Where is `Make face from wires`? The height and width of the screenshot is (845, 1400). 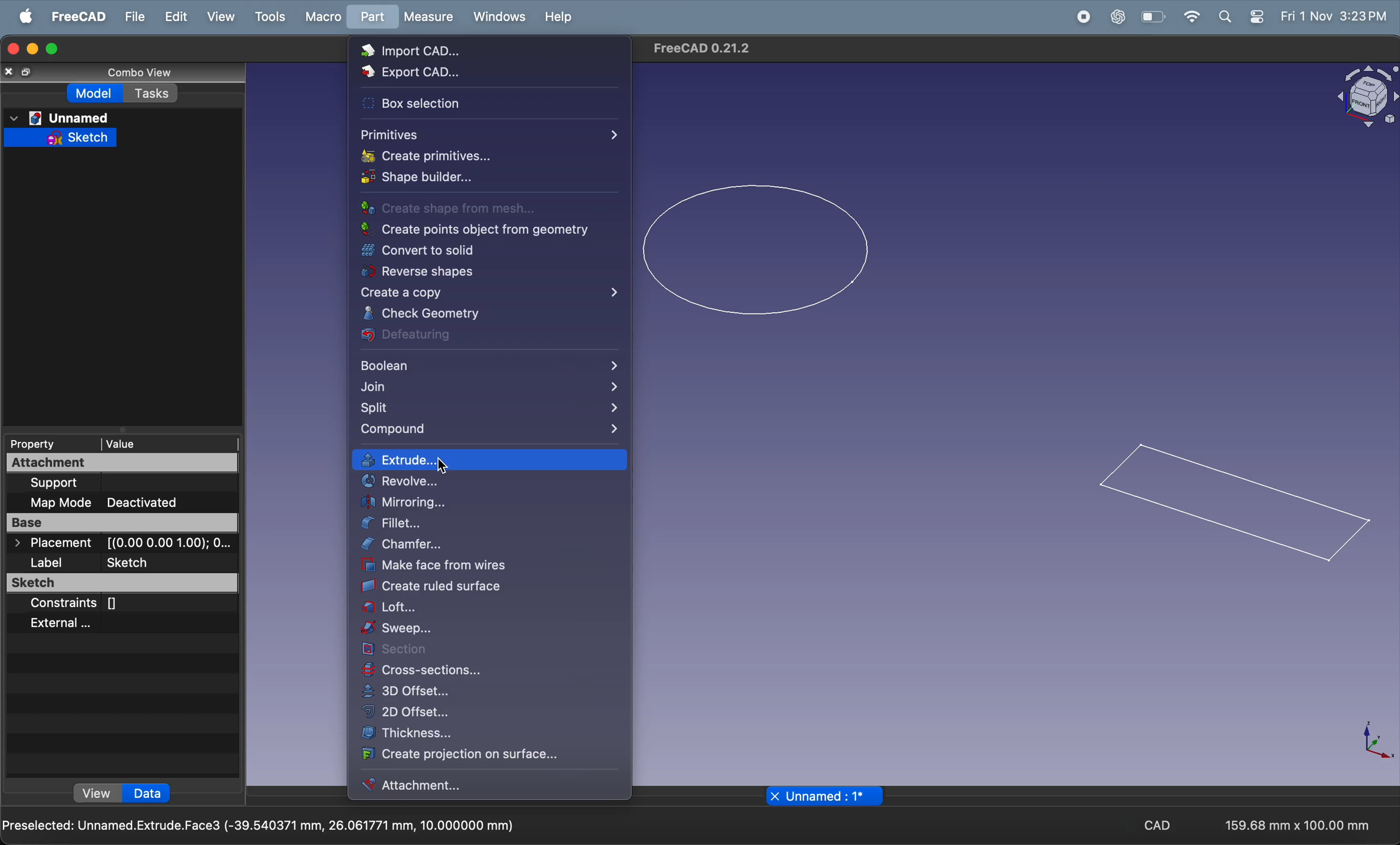 Make face from wires is located at coordinates (486, 566).